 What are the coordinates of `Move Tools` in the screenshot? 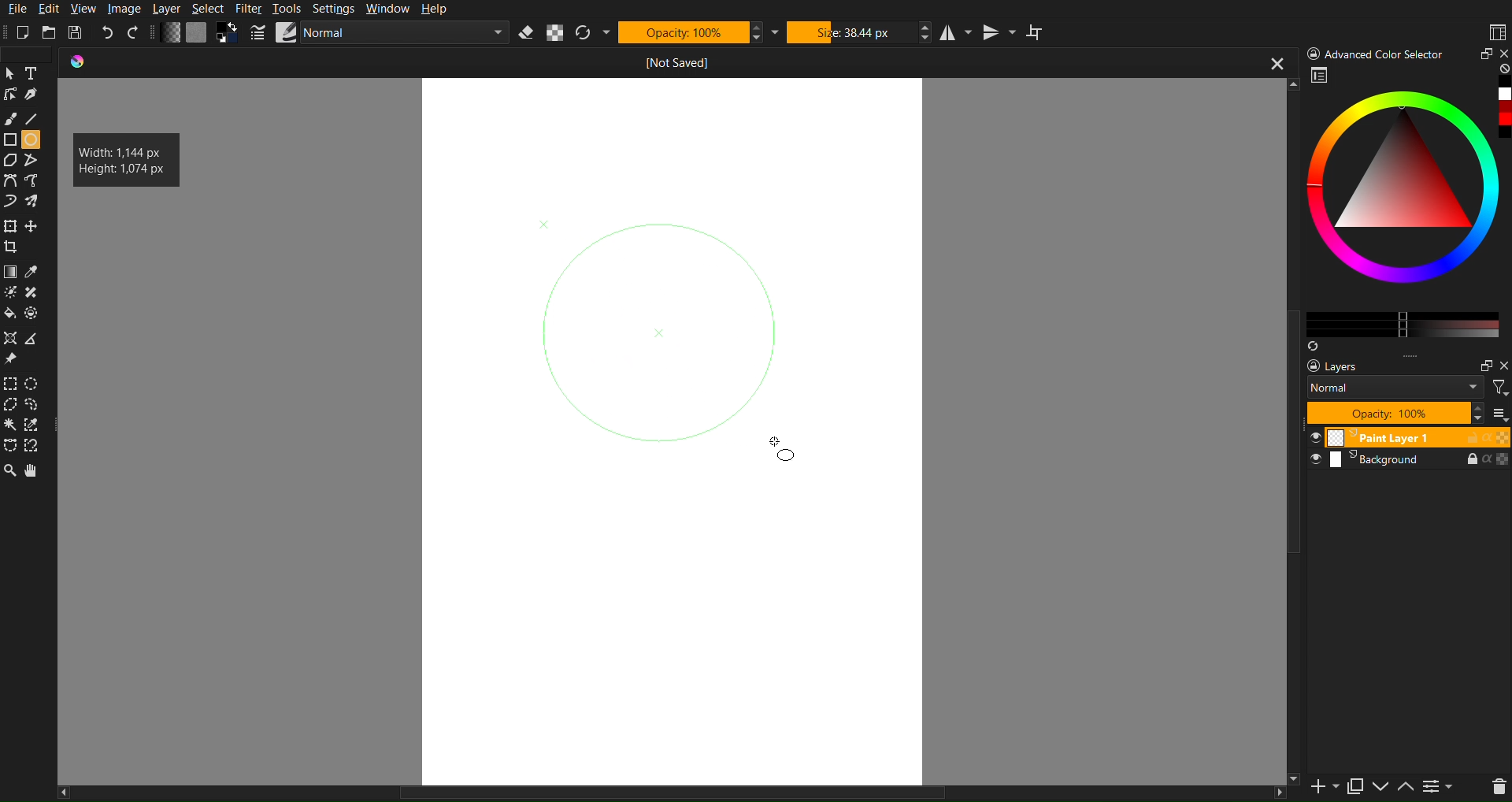 It's located at (9, 225).